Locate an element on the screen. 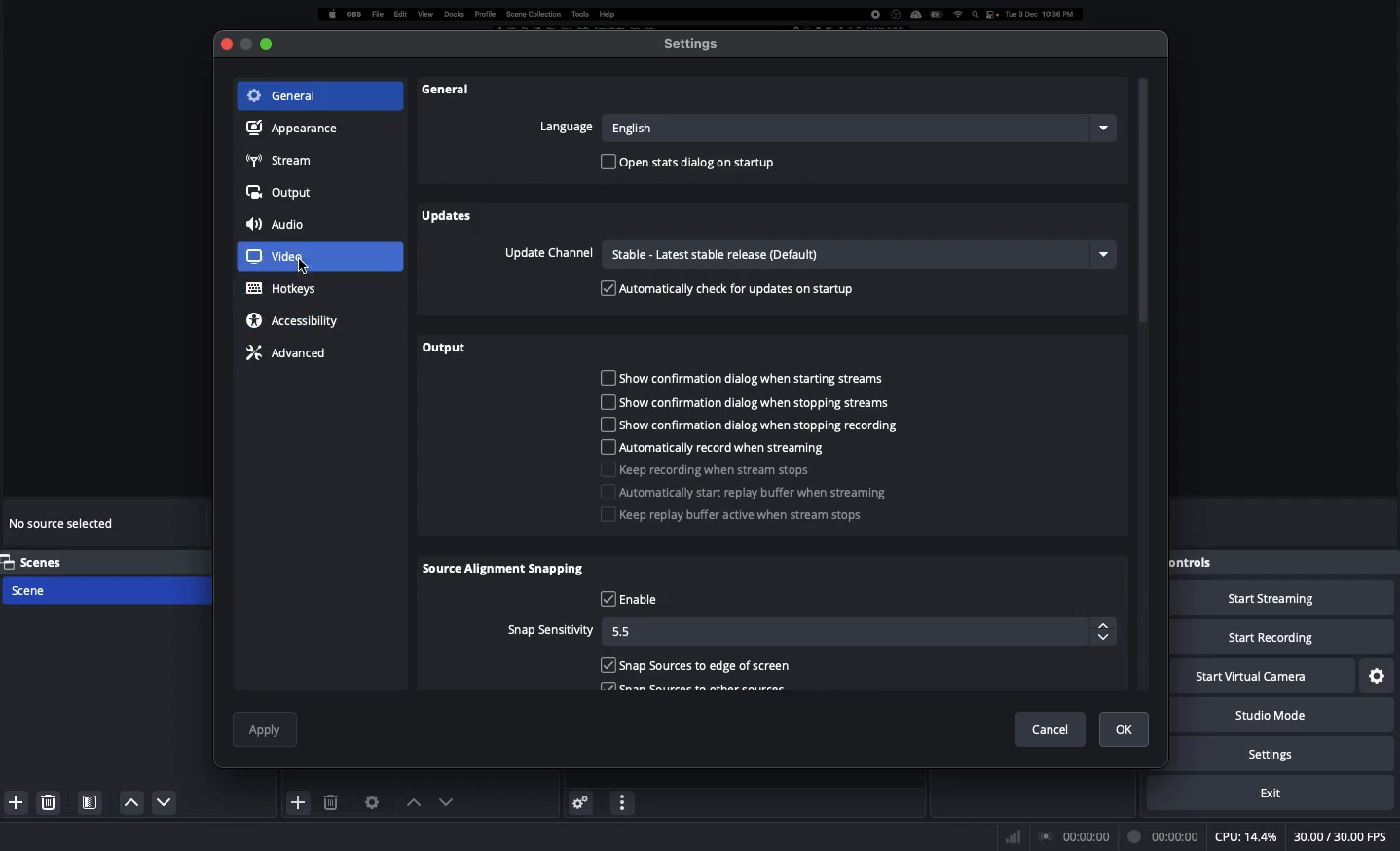 This screenshot has width=1400, height=851. Start virtual camera is located at coordinates (1264, 678).